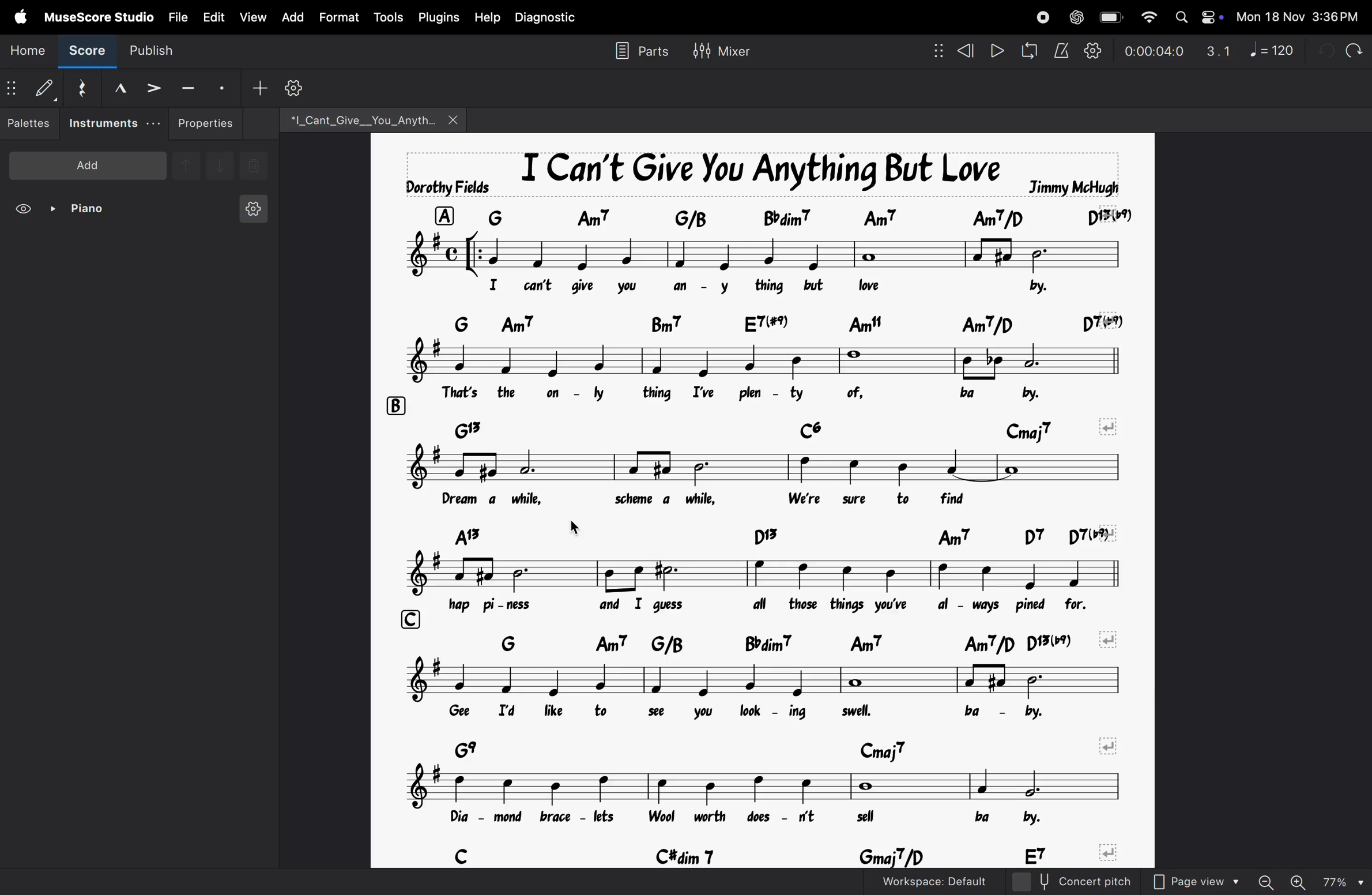 The width and height of the screenshot is (1372, 895). Describe the element at coordinates (787, 717) in the screenshot. I see `lyrics` at that location.